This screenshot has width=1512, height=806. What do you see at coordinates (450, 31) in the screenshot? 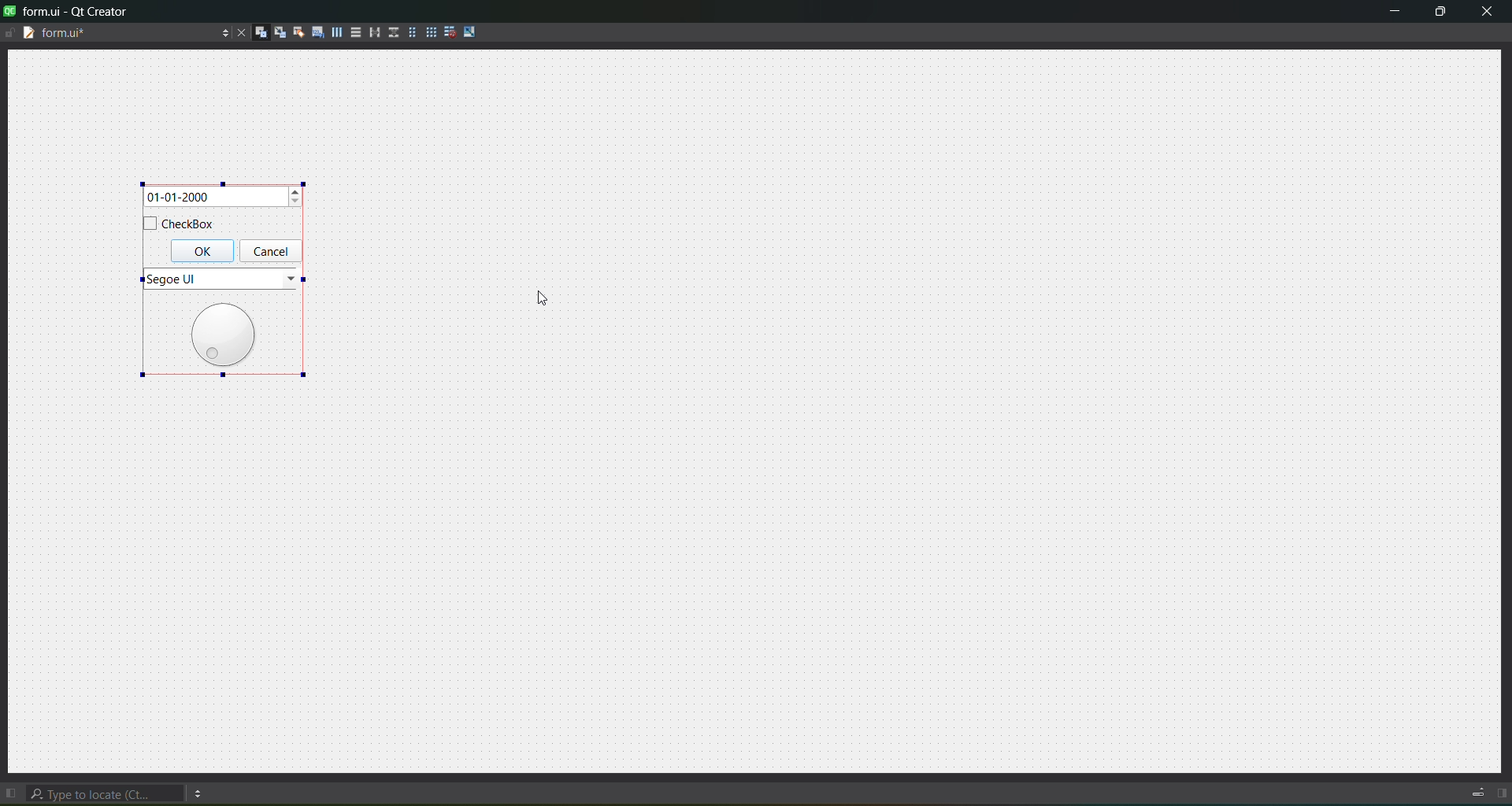
I see `break layout` at bounding box center [450, 31].